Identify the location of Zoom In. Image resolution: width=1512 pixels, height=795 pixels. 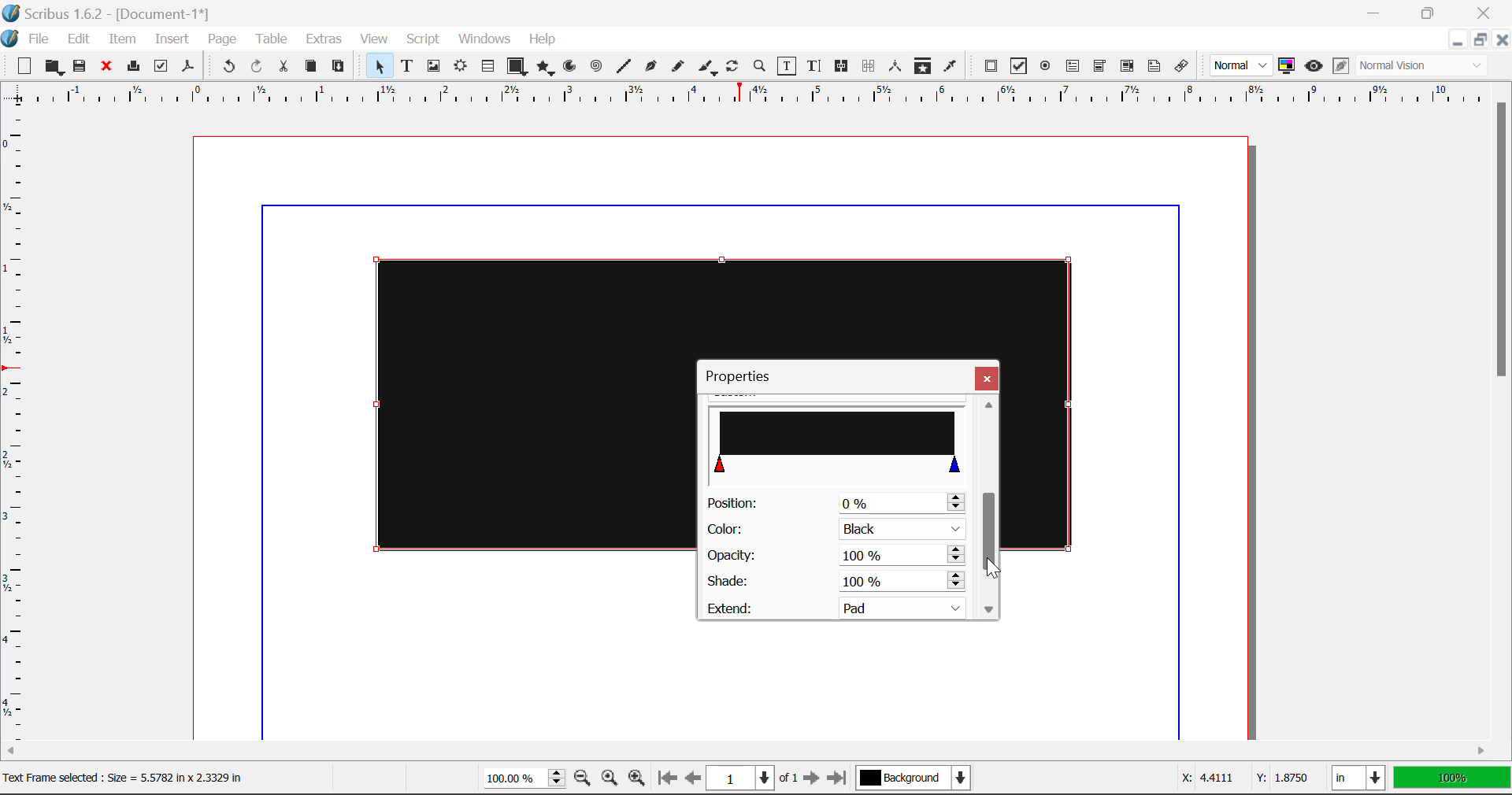
(637, 780).